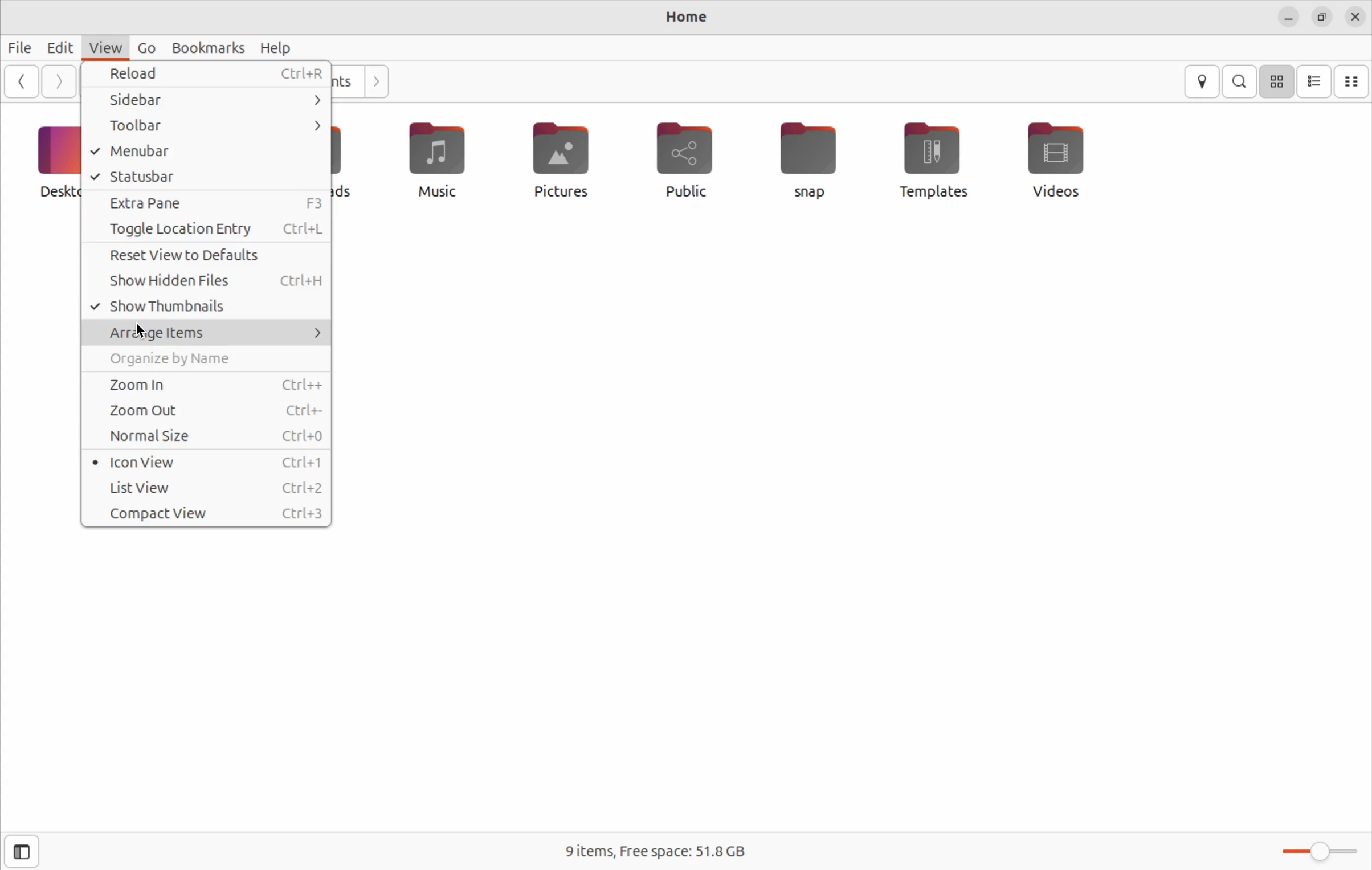 This screenshot has width=1372, height=870. I want to click on free space, so click(651, 851).